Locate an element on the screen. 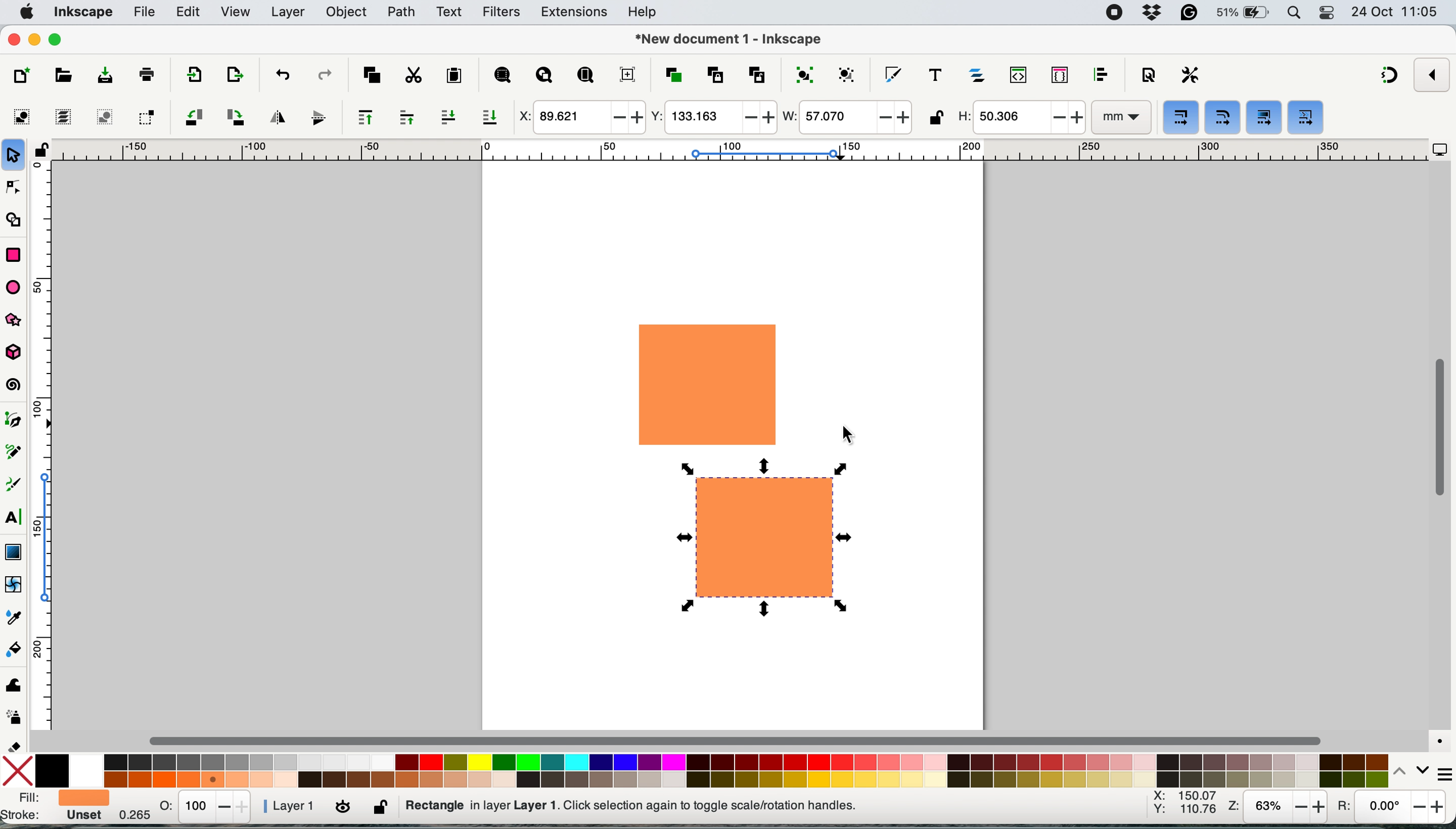 Image resolution: width=1456 pixels, height=829 pixels. import is located at coordinates (191, 76).